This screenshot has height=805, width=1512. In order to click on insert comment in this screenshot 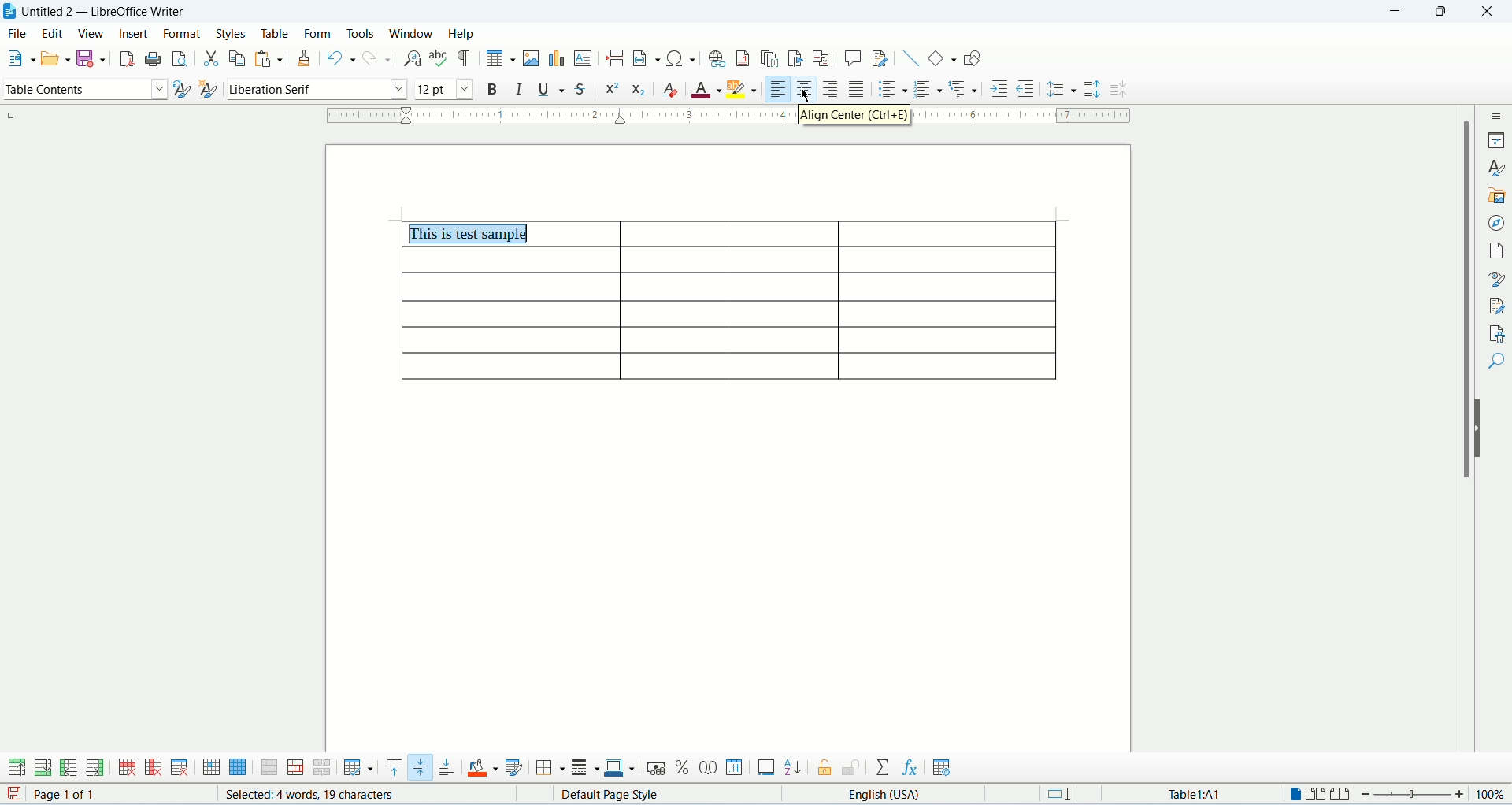, I will do `click(851, 60)`.